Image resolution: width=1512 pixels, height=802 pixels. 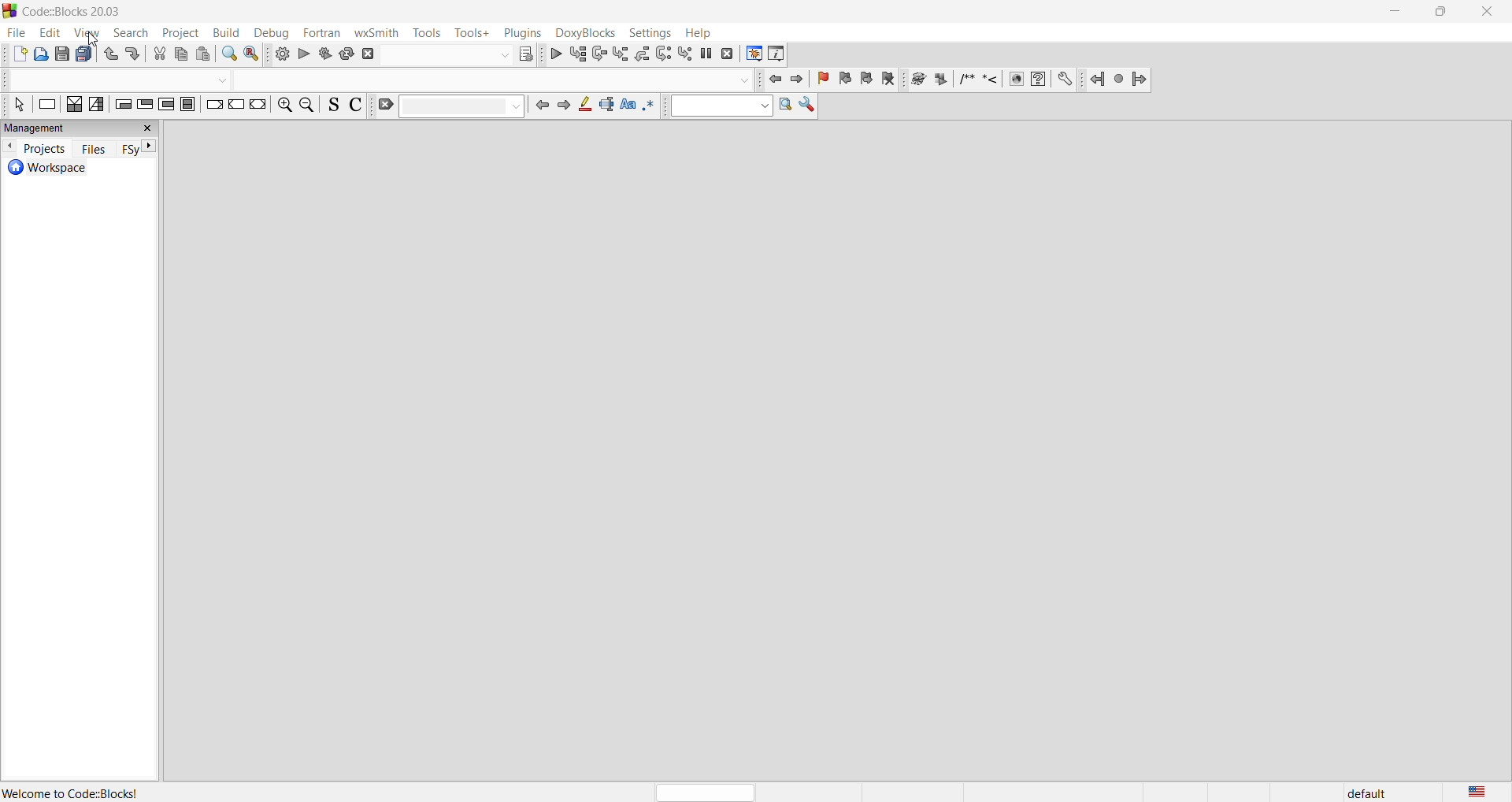 I want to click on undo, so click(x=111, y=54).